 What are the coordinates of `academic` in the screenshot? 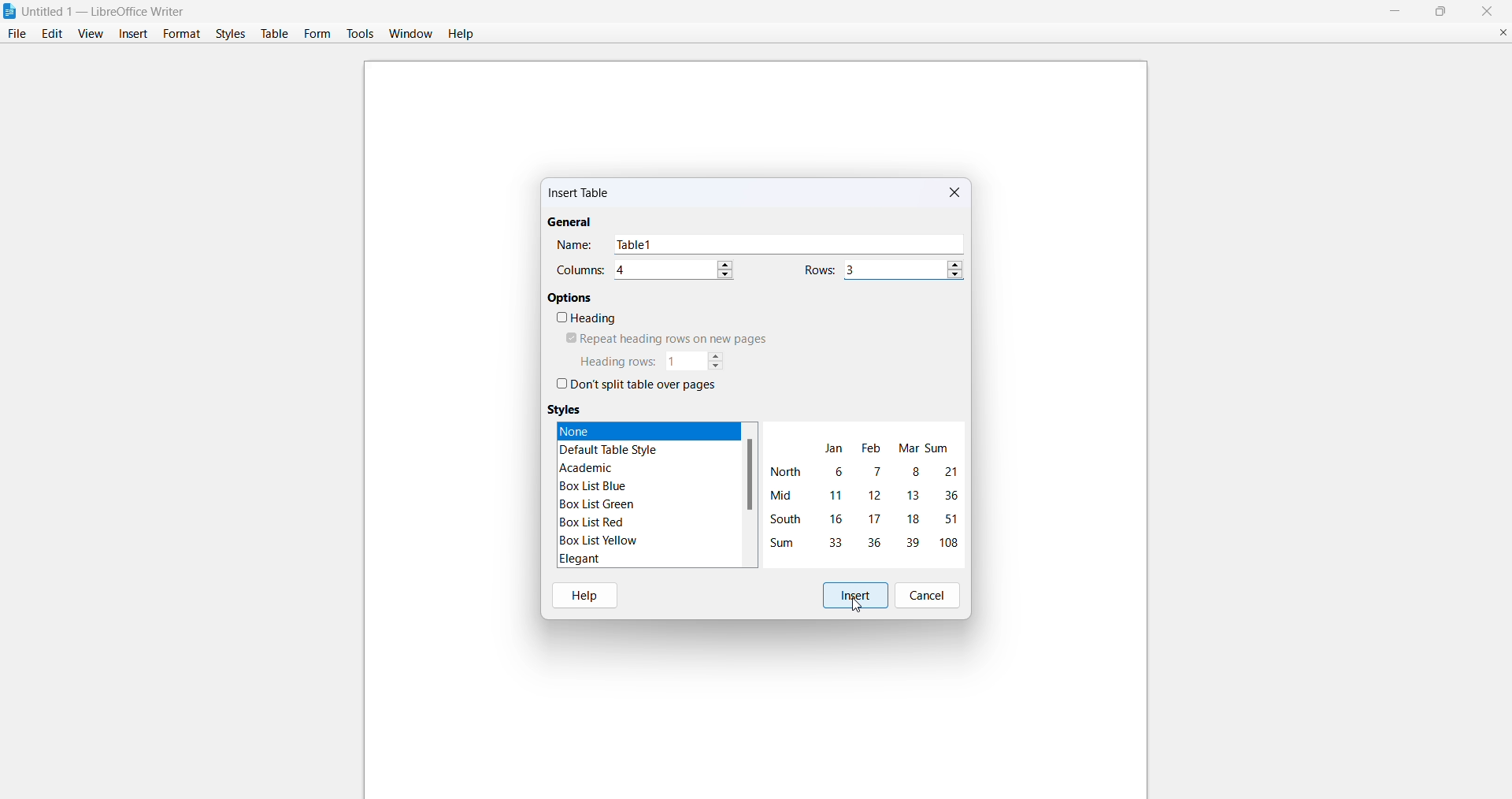 It's located at (590, 467).